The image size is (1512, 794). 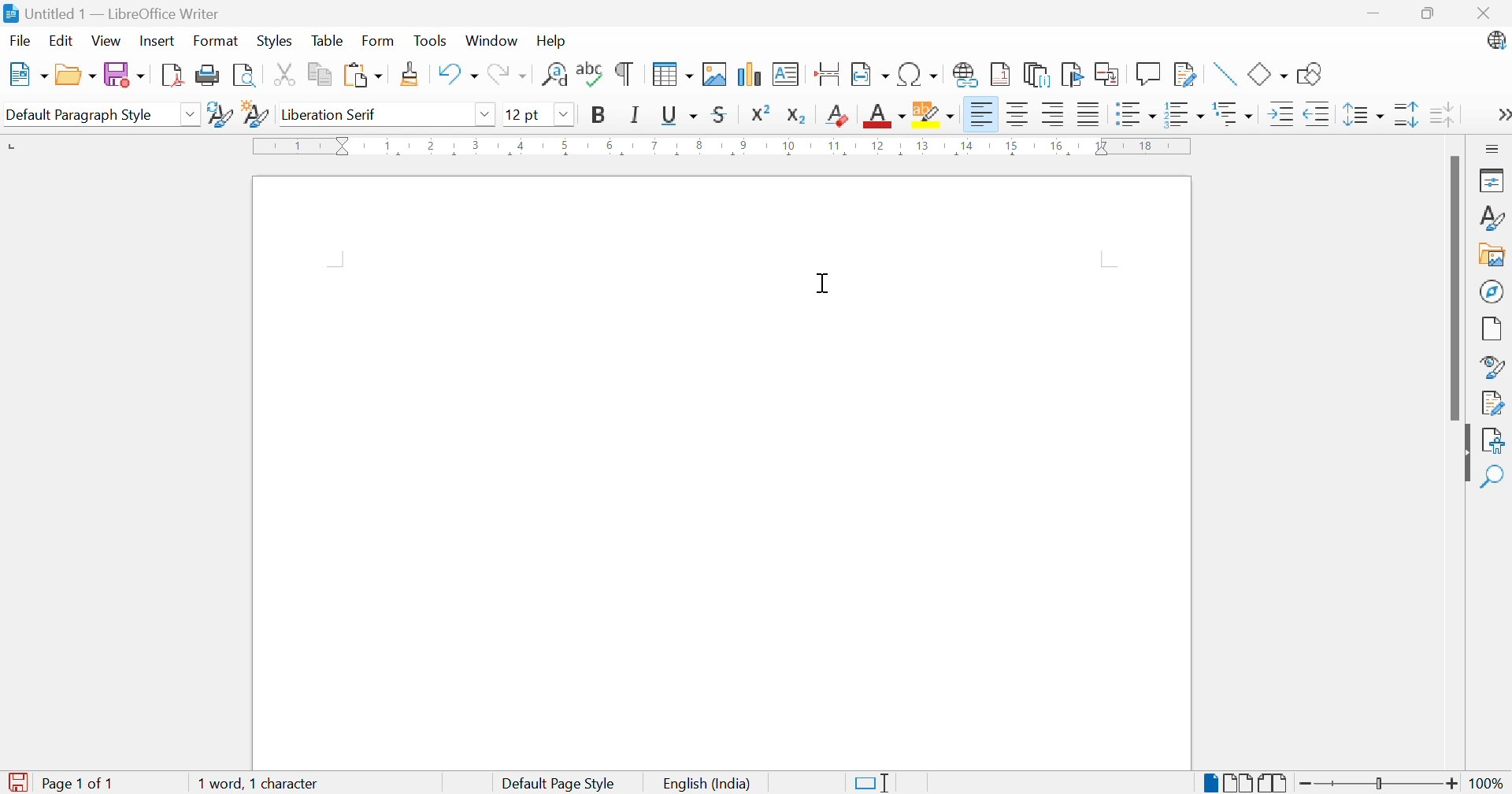 I want to click on New Style From Selection, so click(x=258, y=114).